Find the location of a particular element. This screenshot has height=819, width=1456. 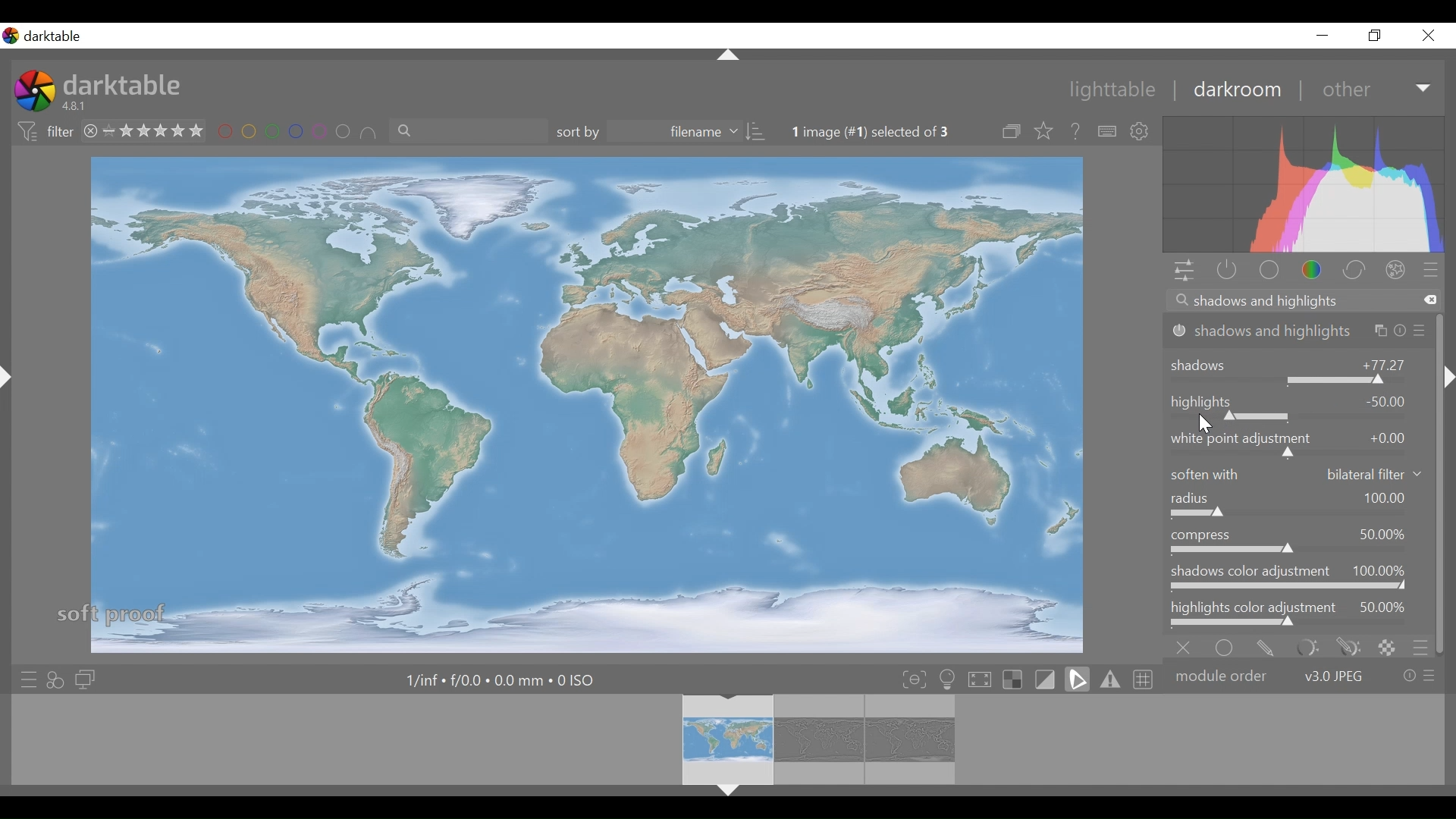

shadows is located at coordinates (1298, 367).